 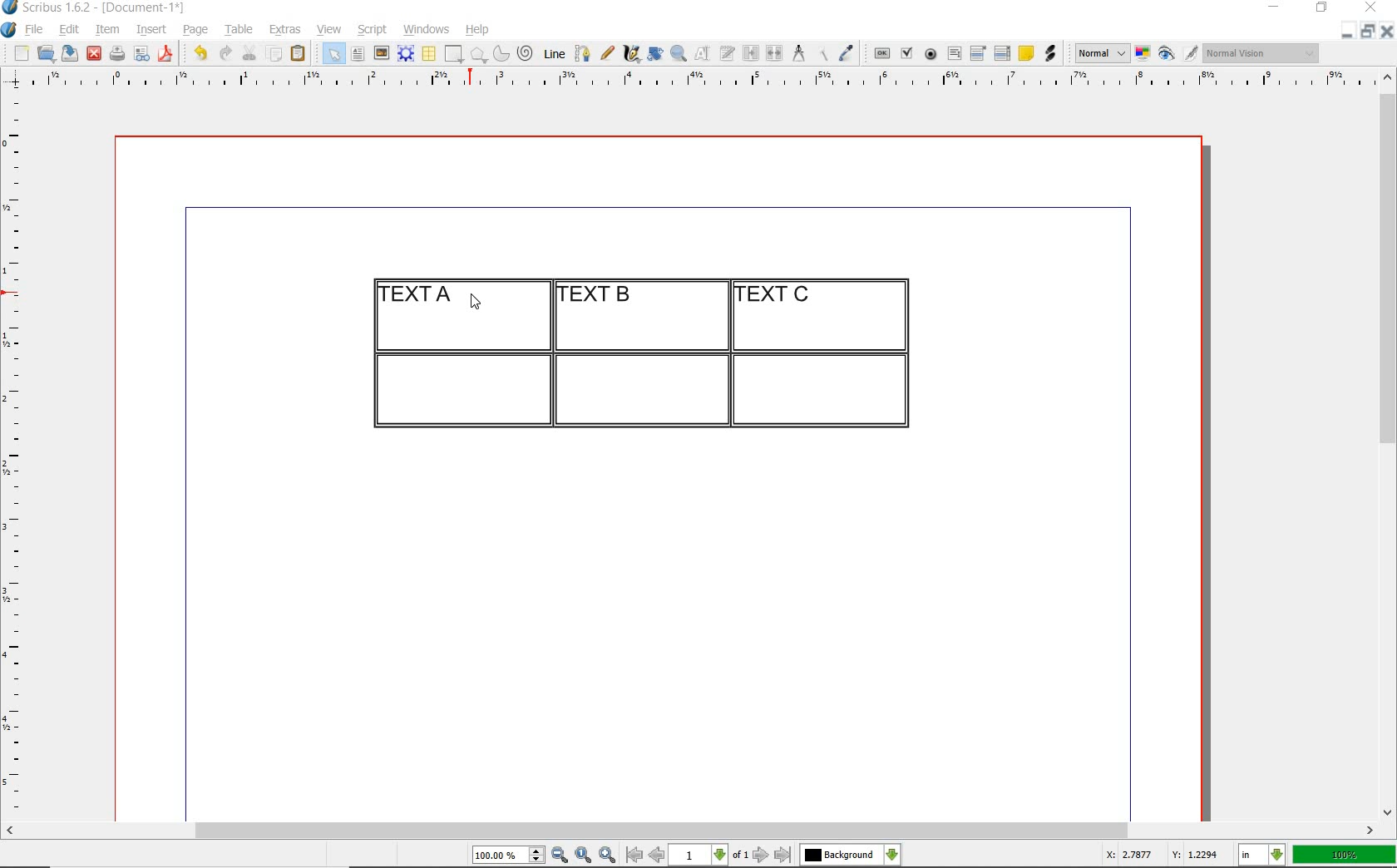 What do you see at coordinates (1368, 30) in the screenshot?
I see `restore` at bounding box center [1368, 30].